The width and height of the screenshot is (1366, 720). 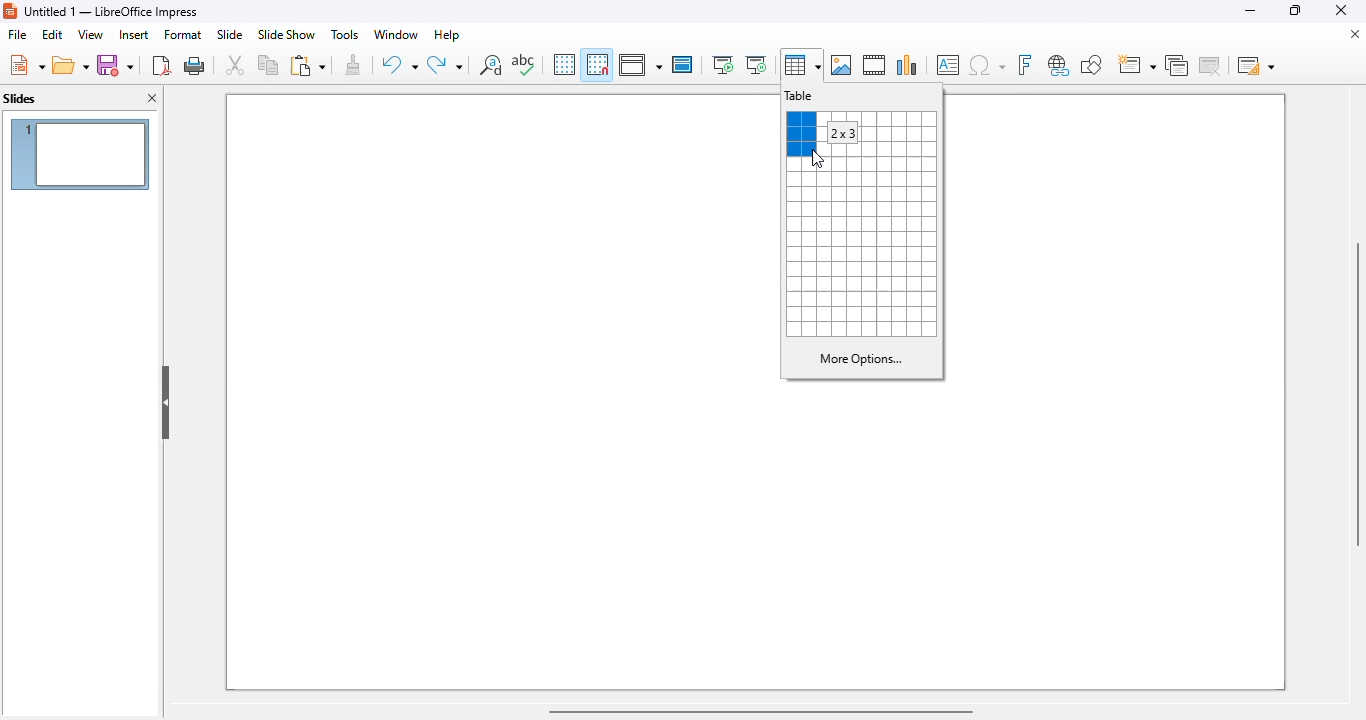 What do you see at coordinates (802, 134) in the screenshot?
I see `2 columns, 3 rows` at bounding box center [802, 134].